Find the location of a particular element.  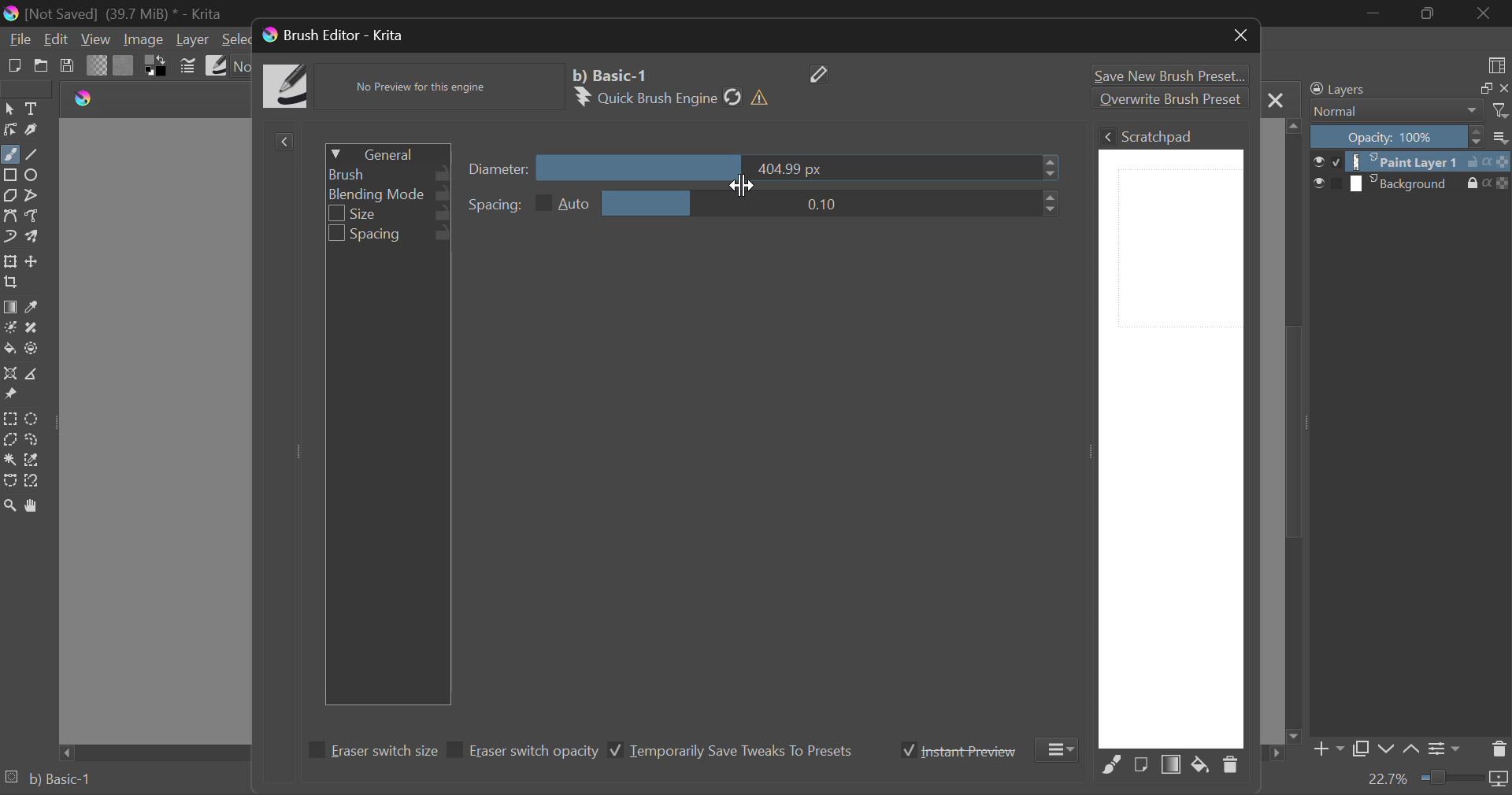

Spacing is located at coordinates (764, 203).